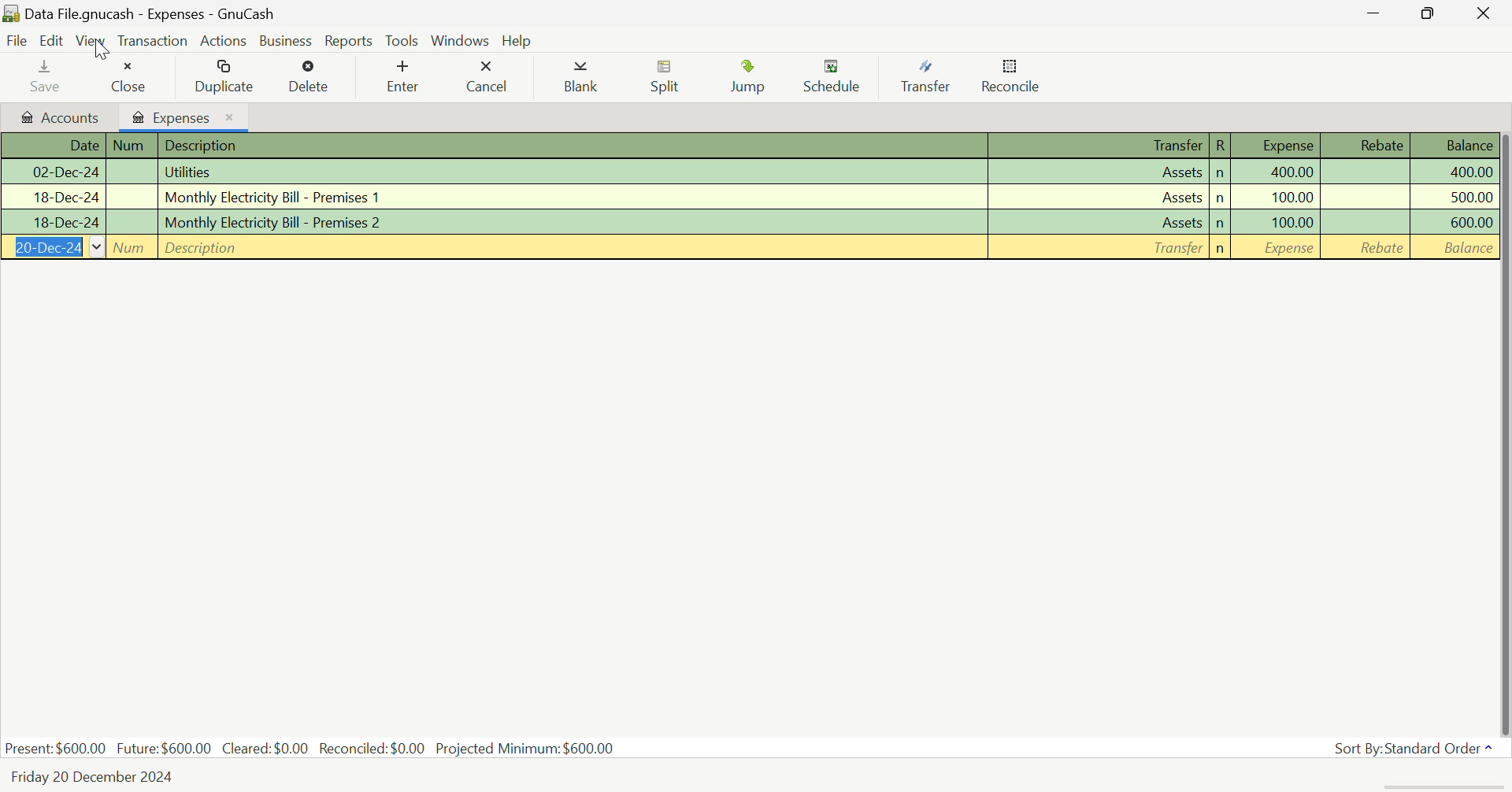 This screenshot has width=1512, height=792. Describe the element at coordinates (1454, 198) in the screenshot. I see `Amount` at that location.